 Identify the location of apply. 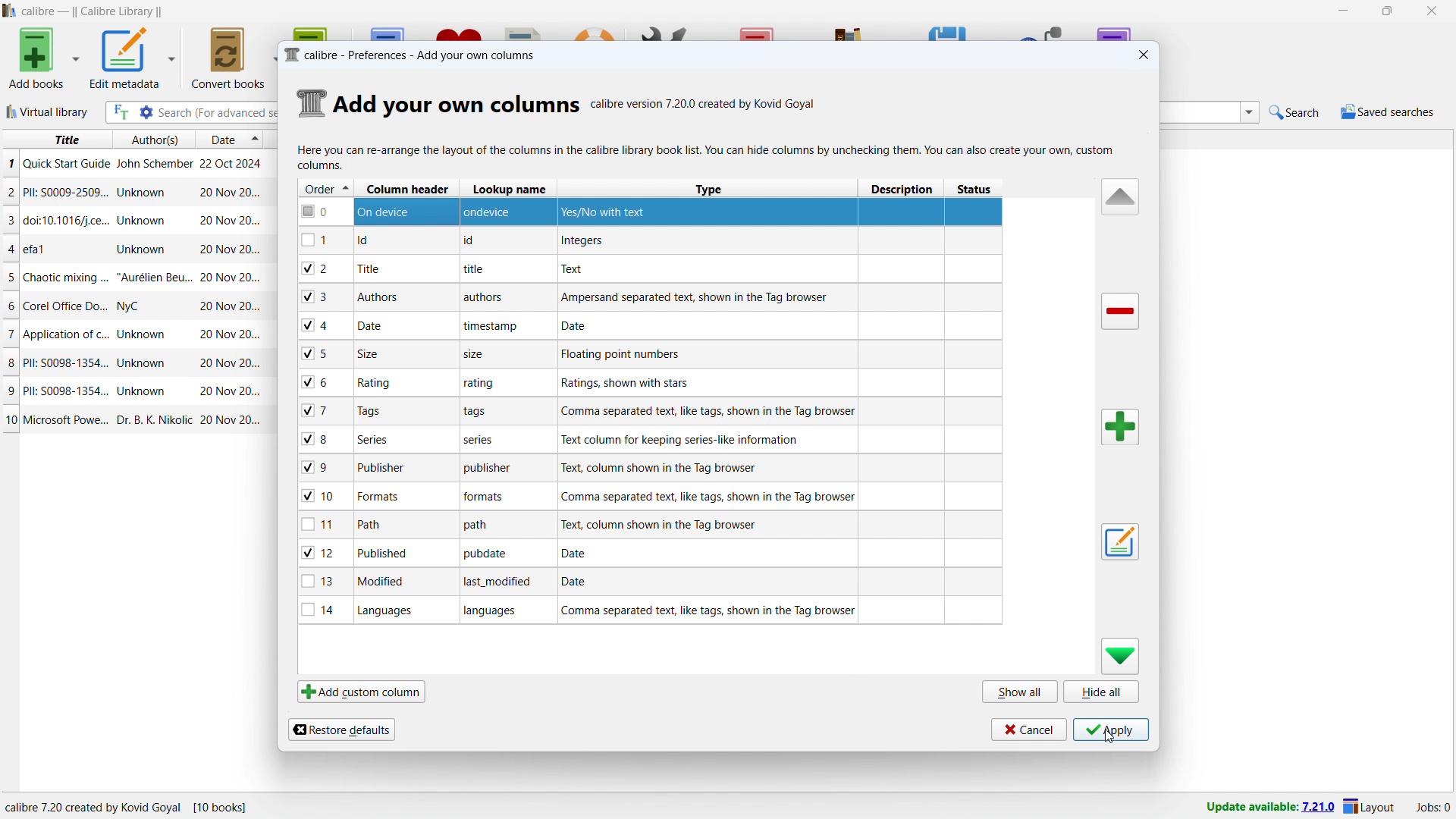
(1112, 730).